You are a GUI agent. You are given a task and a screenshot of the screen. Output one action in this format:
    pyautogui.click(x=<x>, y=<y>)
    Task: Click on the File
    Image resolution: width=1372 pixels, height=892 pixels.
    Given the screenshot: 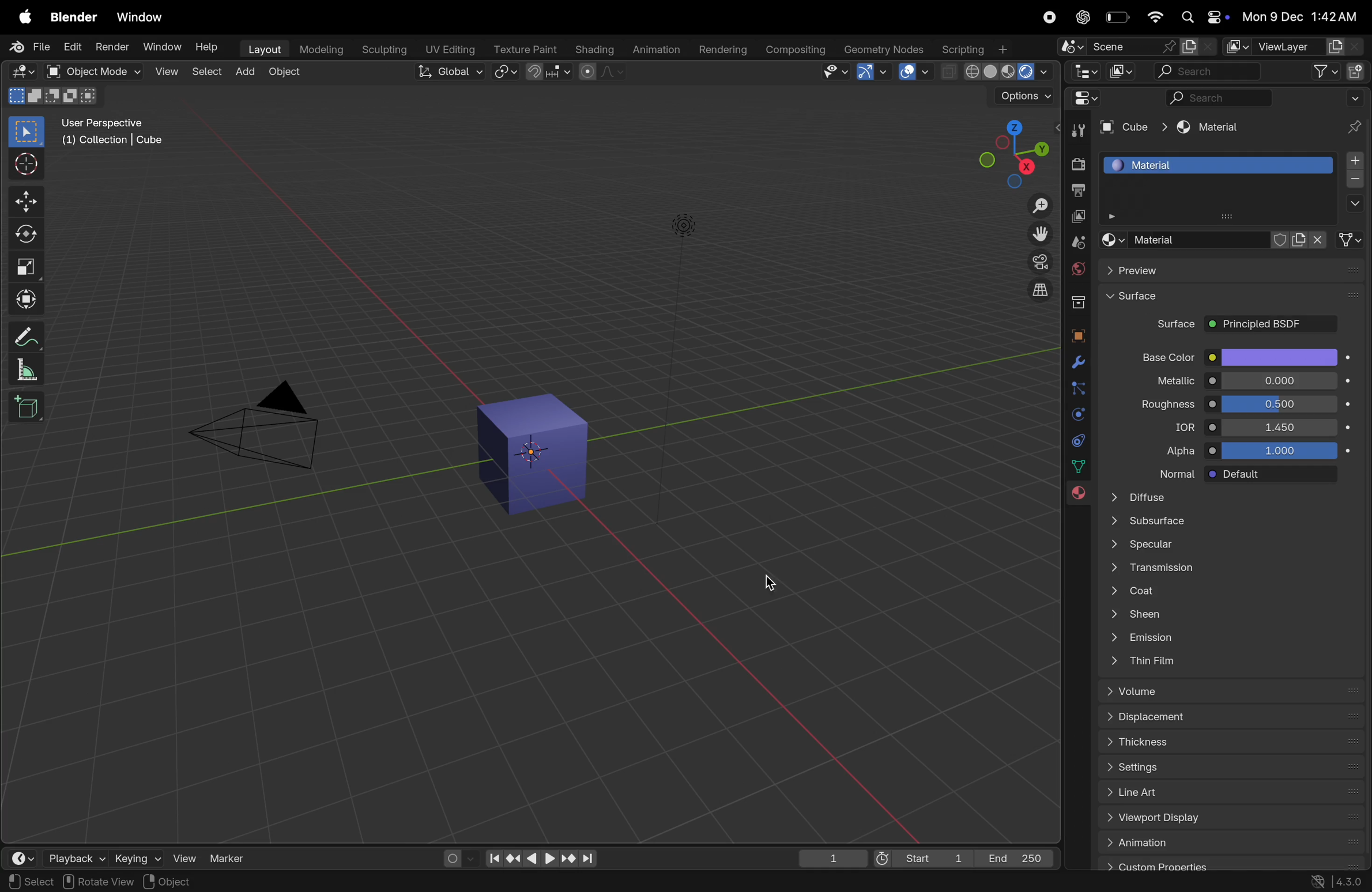 What is the action you would take?
    pyautogui.click(x=32, y=47)
    